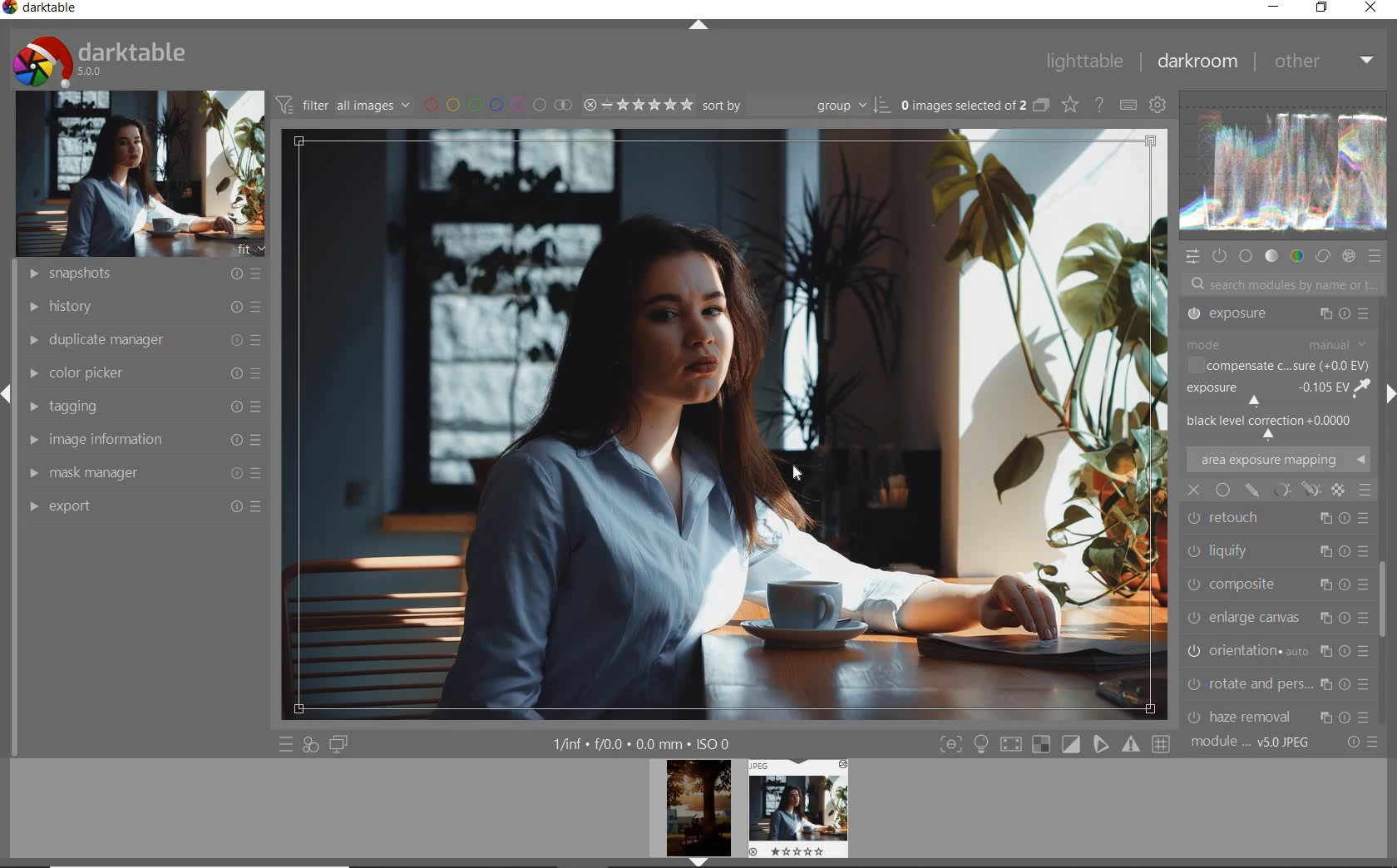 The image size is (1397, 868). I want to click on SYSTEM LOGO & NAME, so click(98, 59).